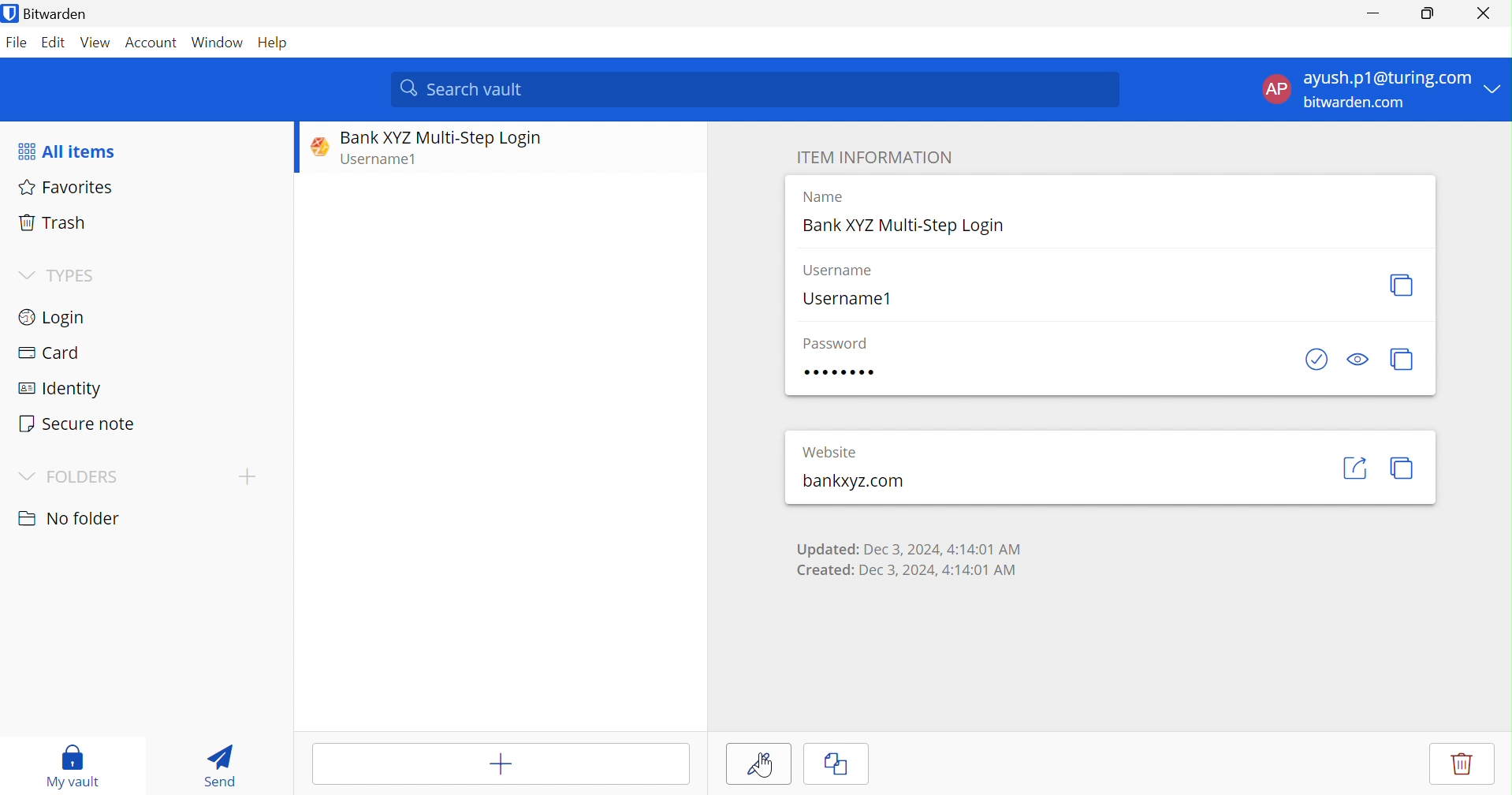  What do you see at coordinates (248, 476) in the screenshot?
I see `Add folder` at bounding box center [248, 476].